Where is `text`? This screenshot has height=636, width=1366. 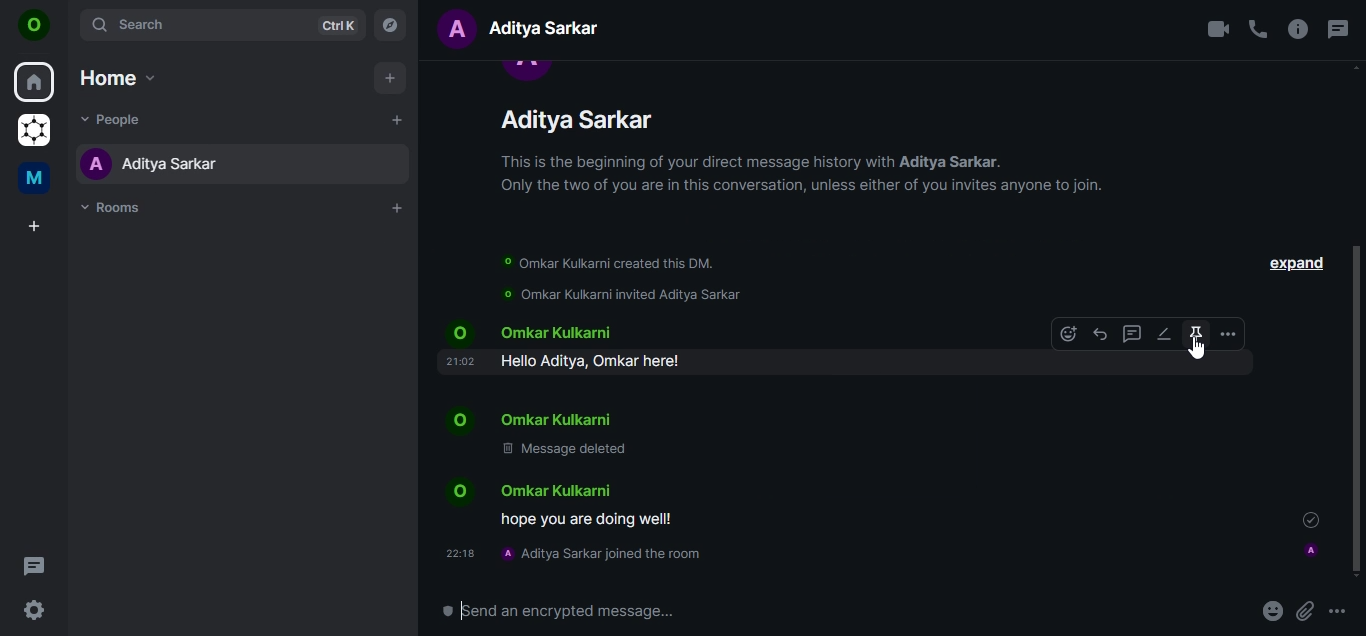 text is located at coordinates (588, 444).